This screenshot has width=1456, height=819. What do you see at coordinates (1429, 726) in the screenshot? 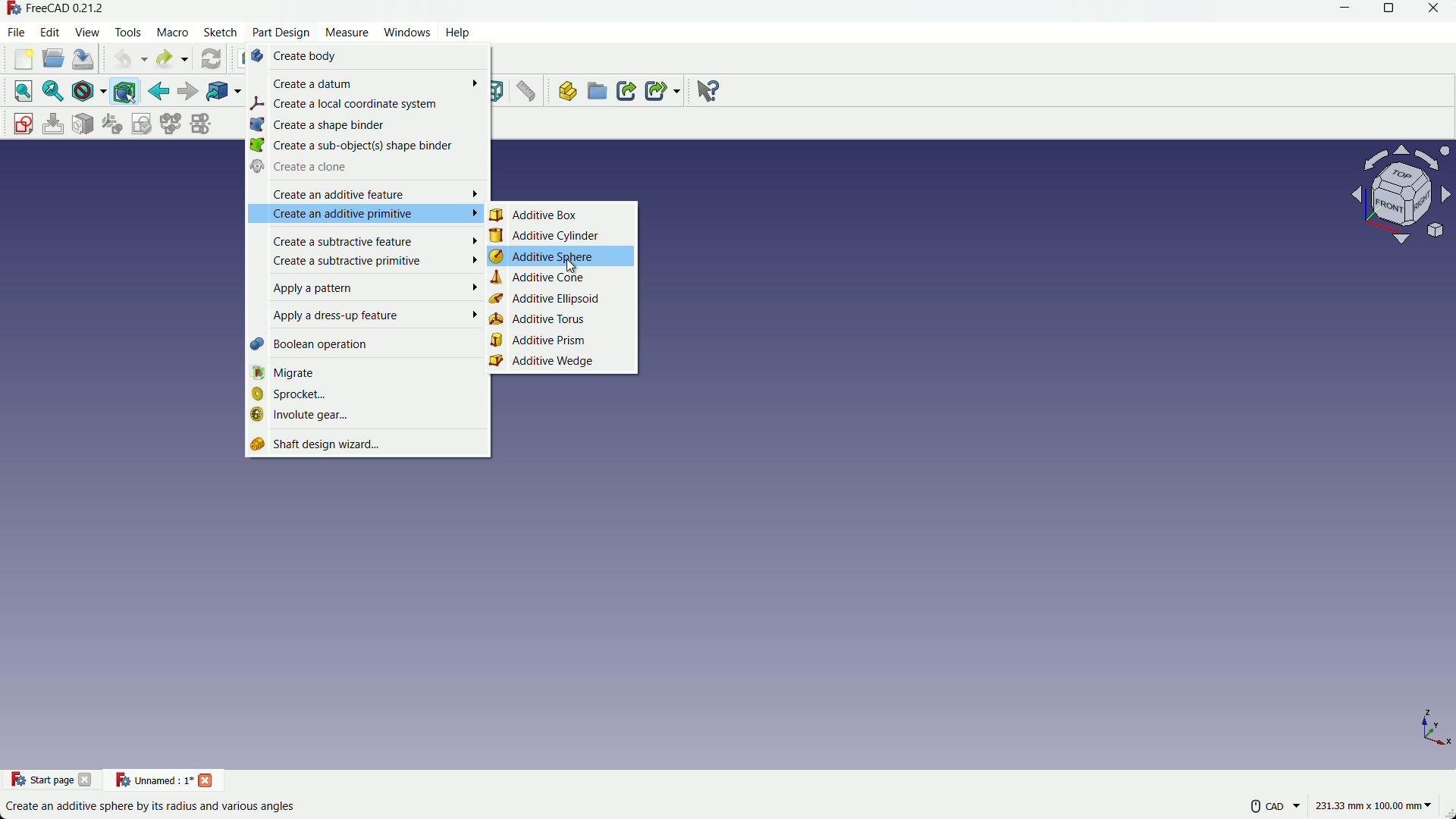
I see `z, y, x axis` at bounding box center [1429, 726].